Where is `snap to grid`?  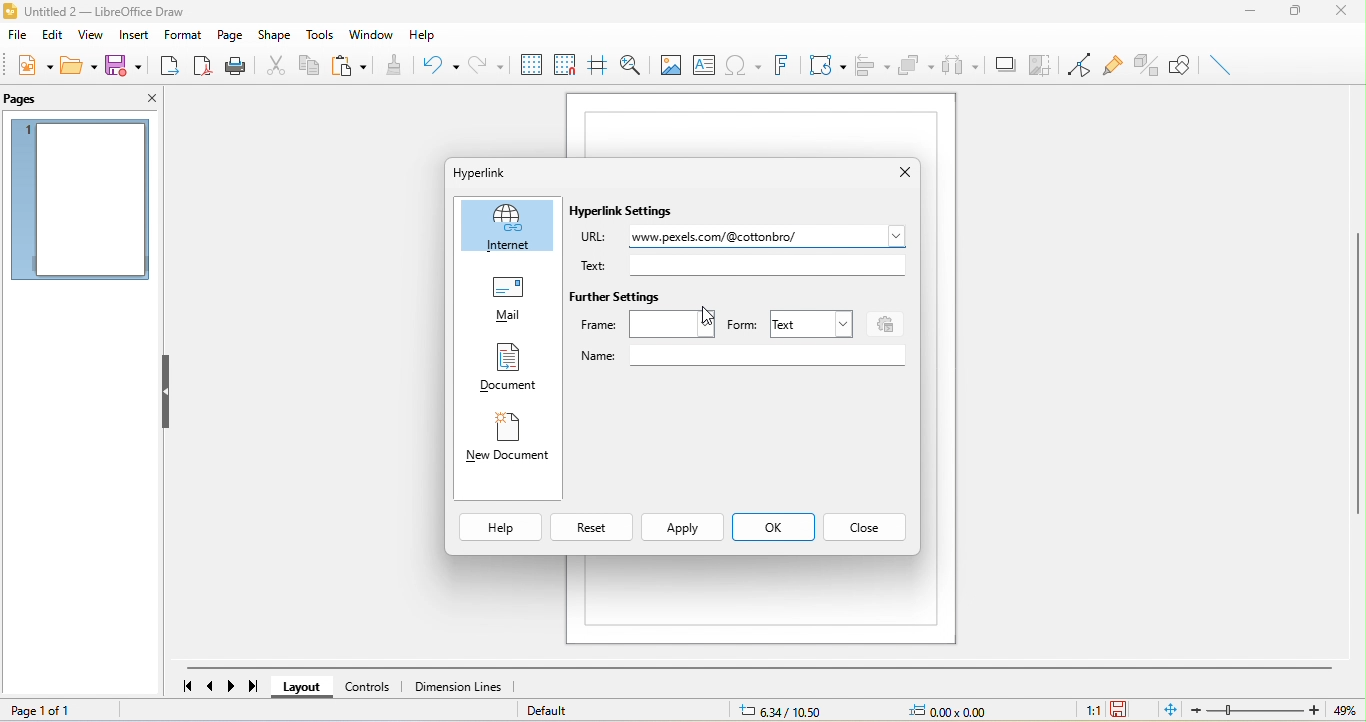
snap to grid is located at coordinates (565, 64).